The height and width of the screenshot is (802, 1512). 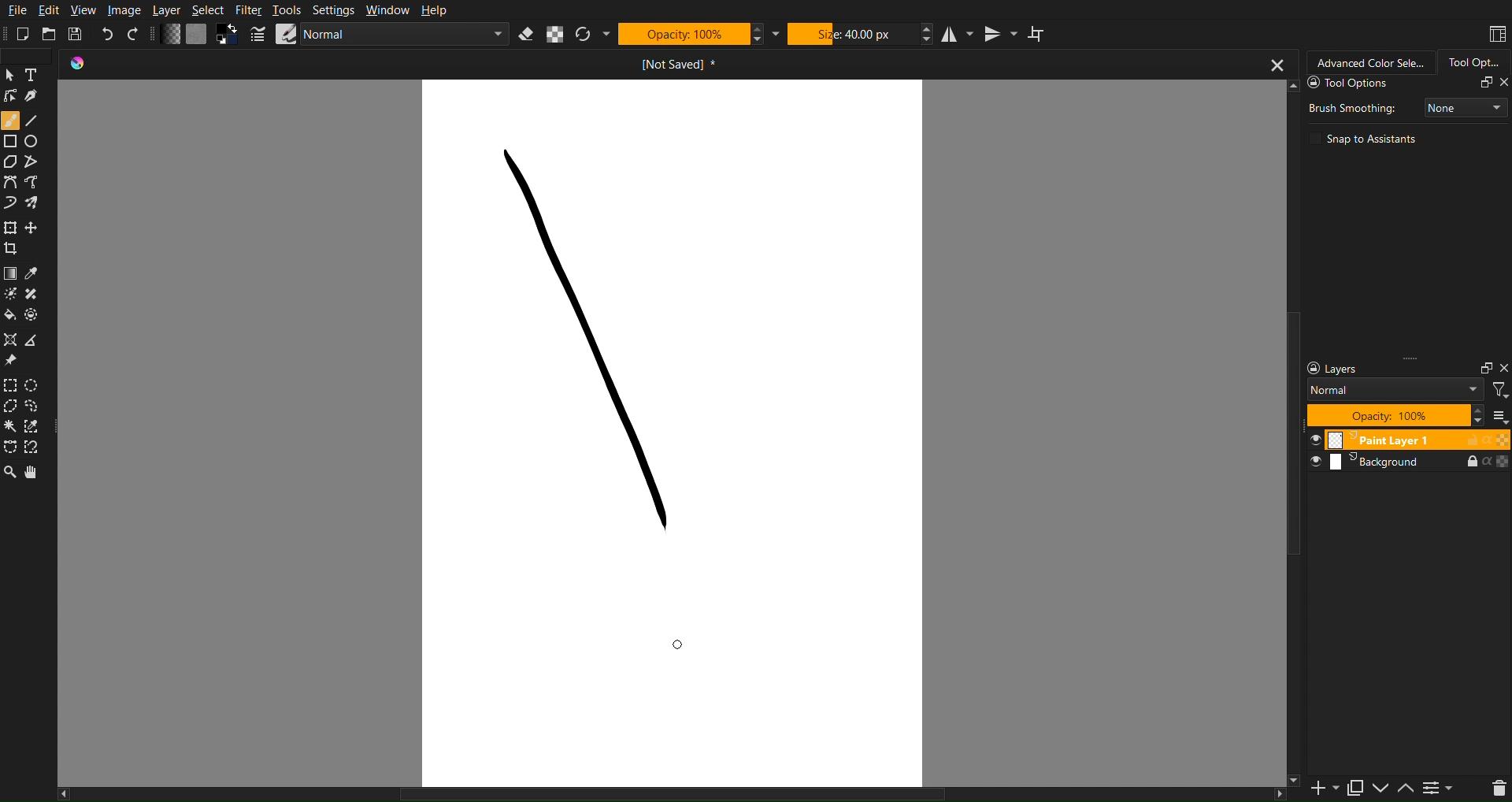 What do you see at coordinates (1369, 62) in the screenshot?
I see `Advanced Color Selector` at bounding box center [1369, 62].